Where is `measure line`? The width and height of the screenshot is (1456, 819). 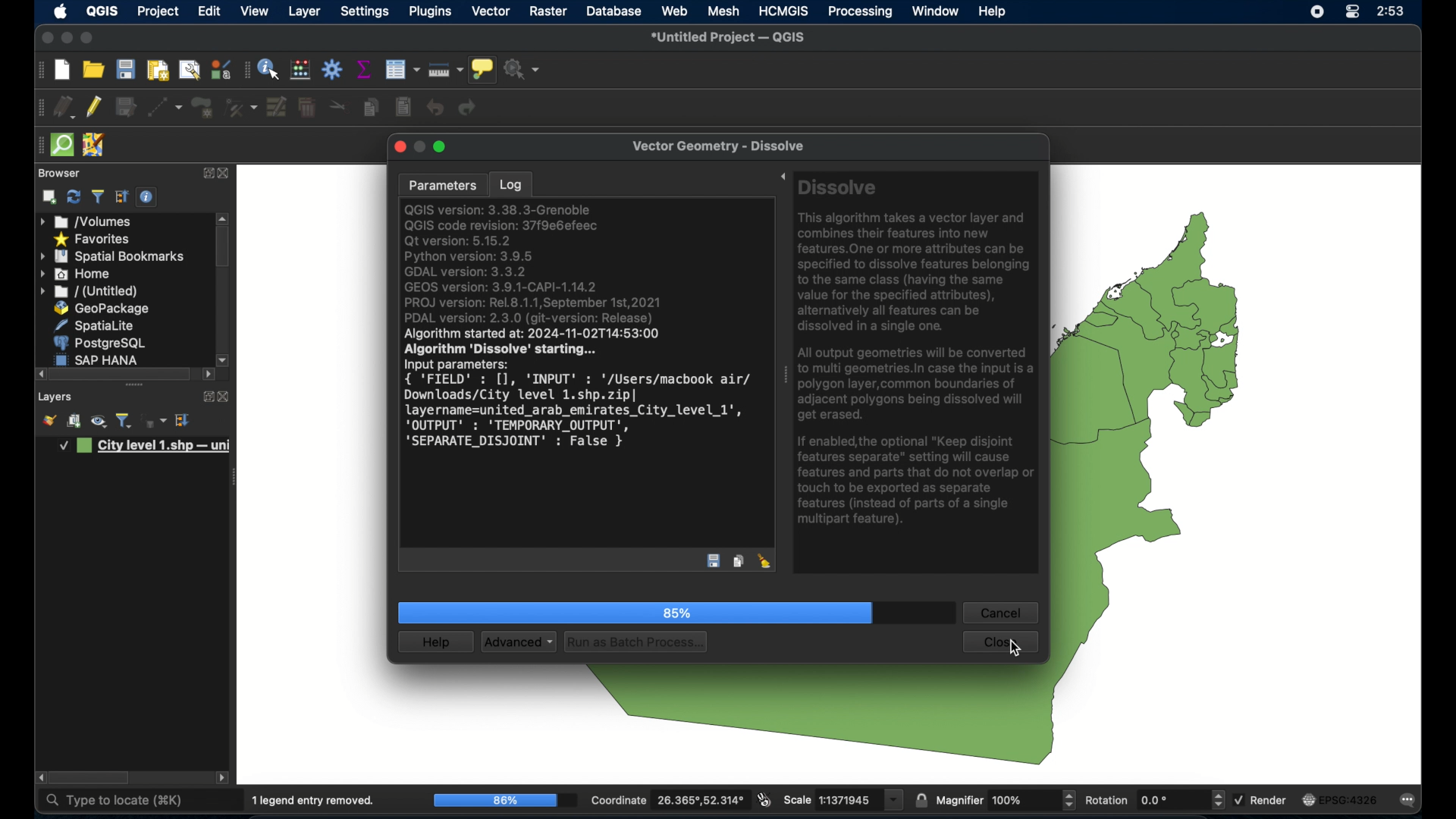
measure line is located at coordinates (447, 69).